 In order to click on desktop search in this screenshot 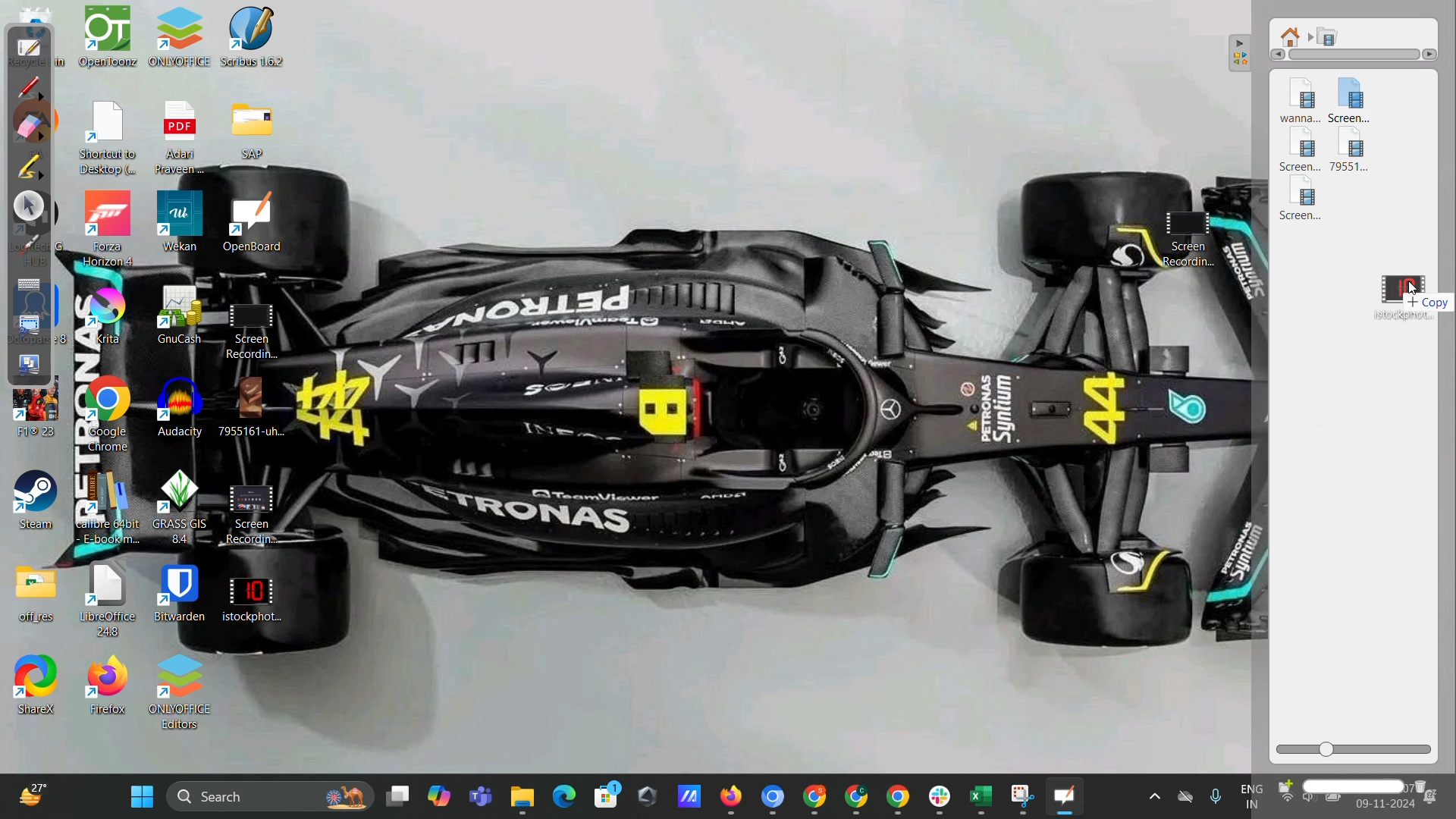, I will do `click(271, 795)`.